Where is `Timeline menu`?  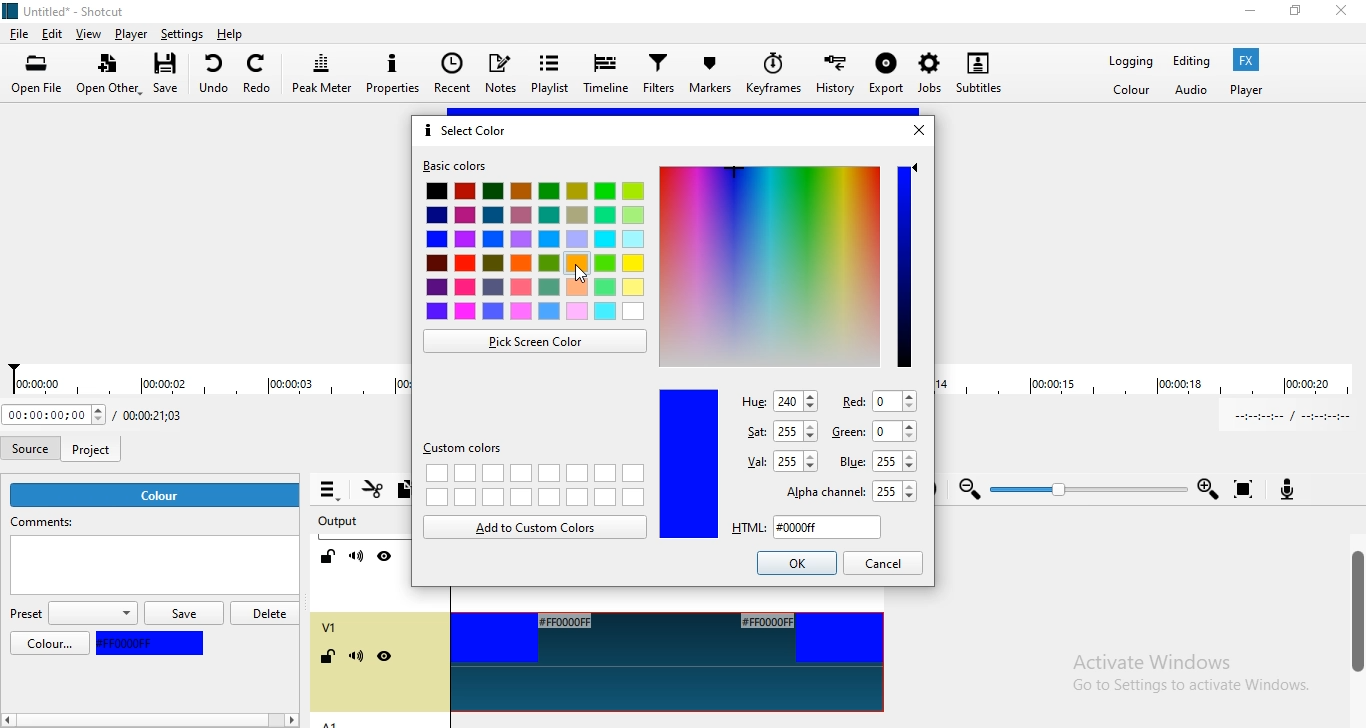 Timeline menu is located at coordinates (329, 491).